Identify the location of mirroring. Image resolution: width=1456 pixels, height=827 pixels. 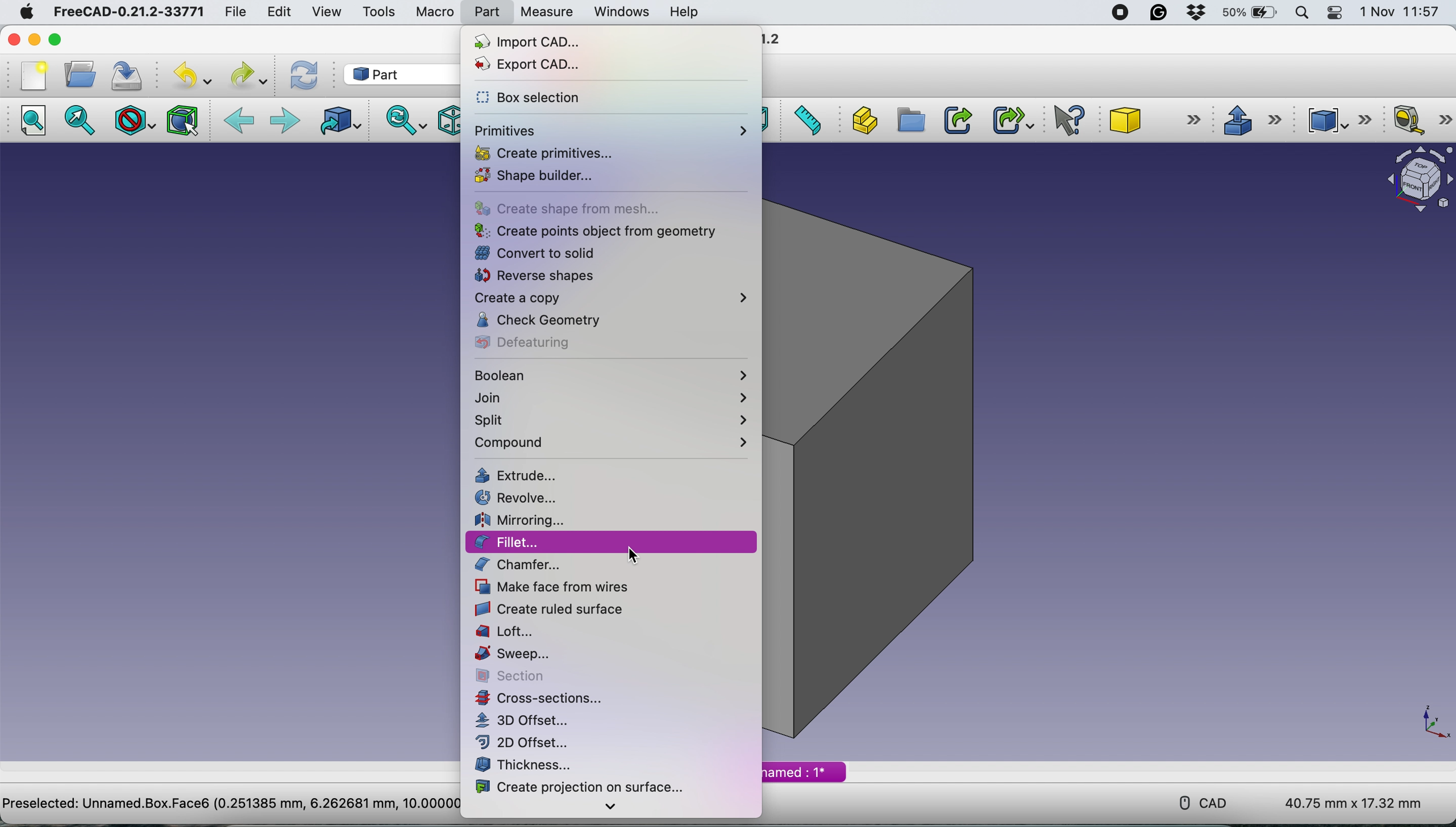
(525, 518).